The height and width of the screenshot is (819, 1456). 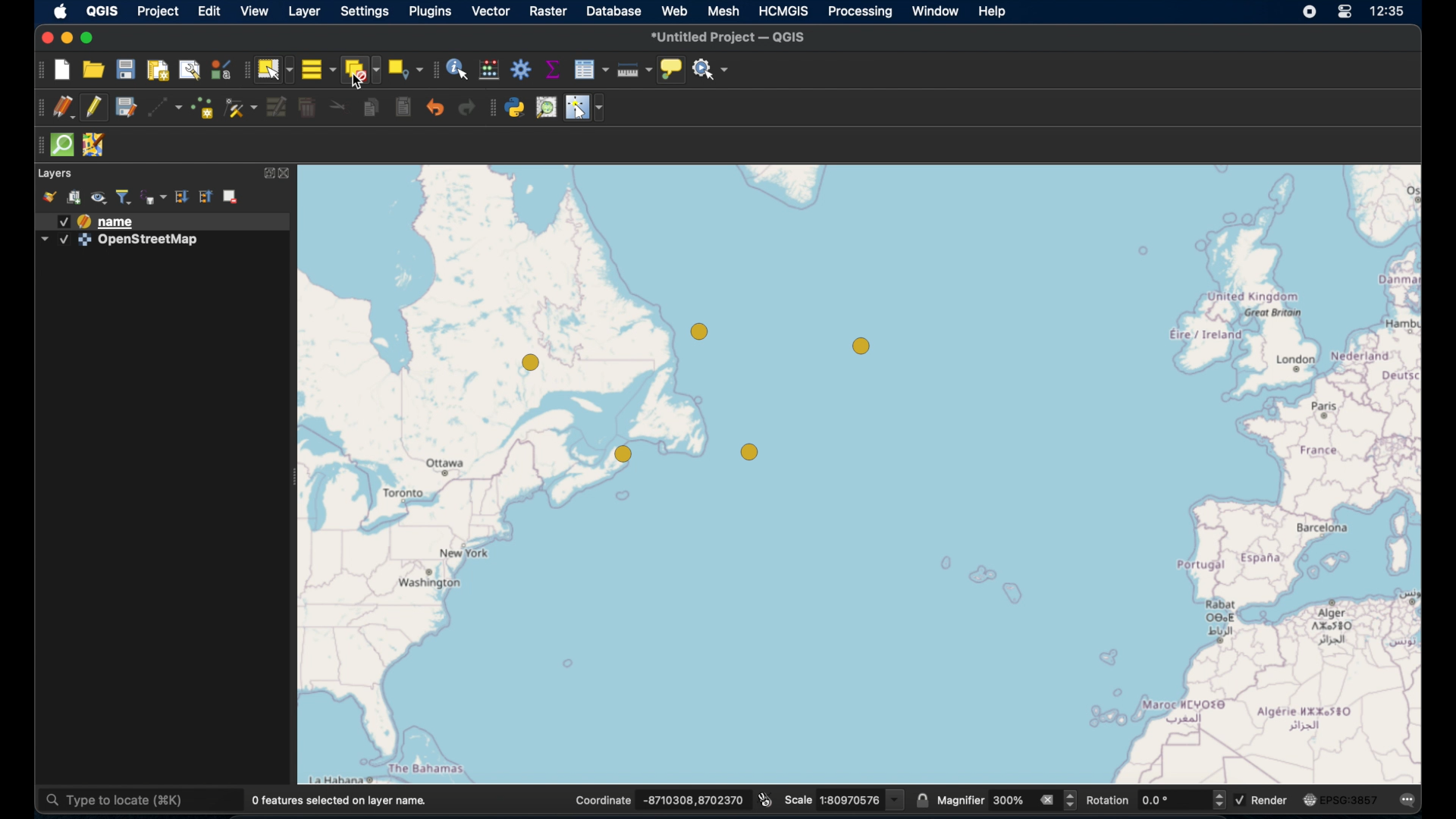 I want to click on add point feature, so click(x=204, y=110).